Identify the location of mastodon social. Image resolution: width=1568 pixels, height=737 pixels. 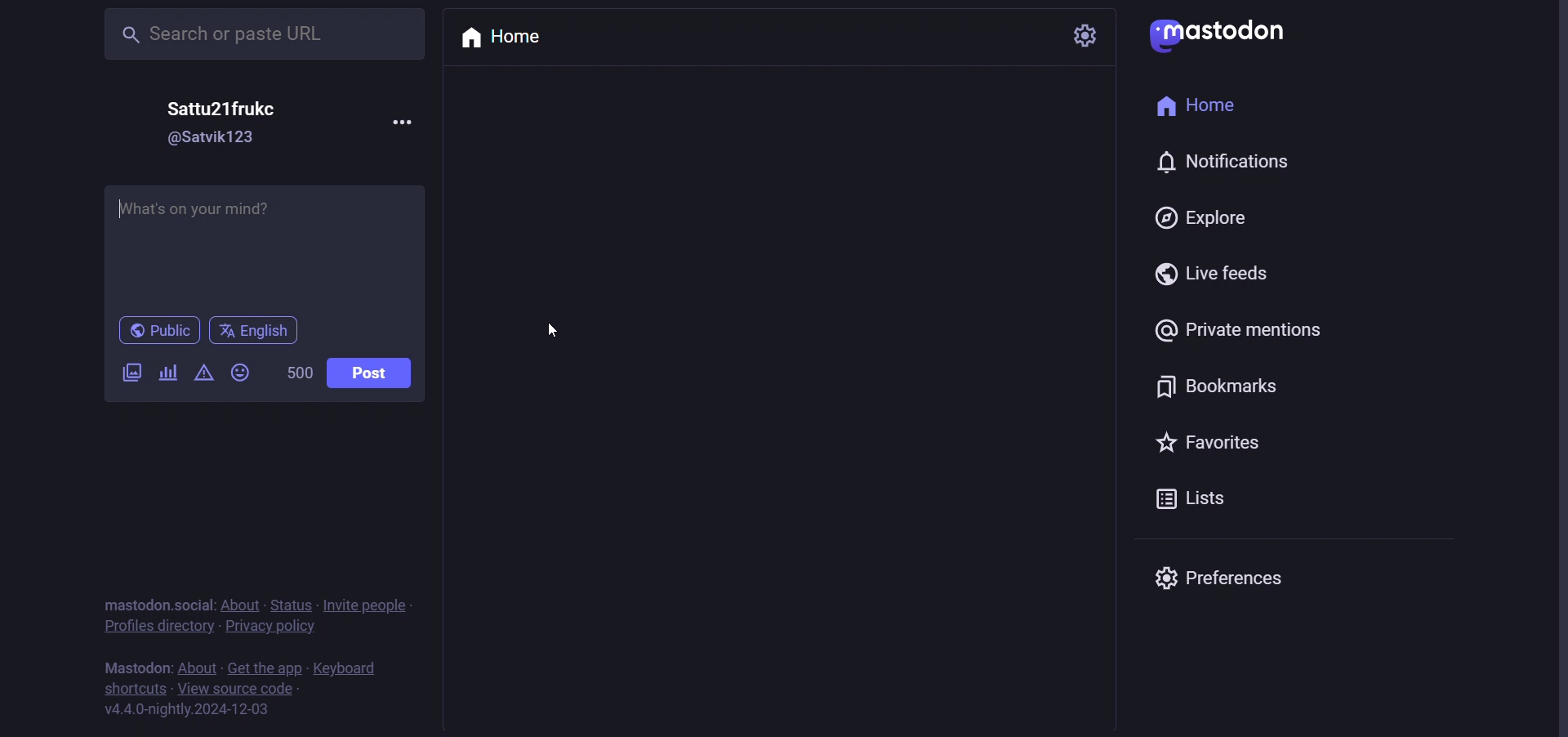
(150, 602).